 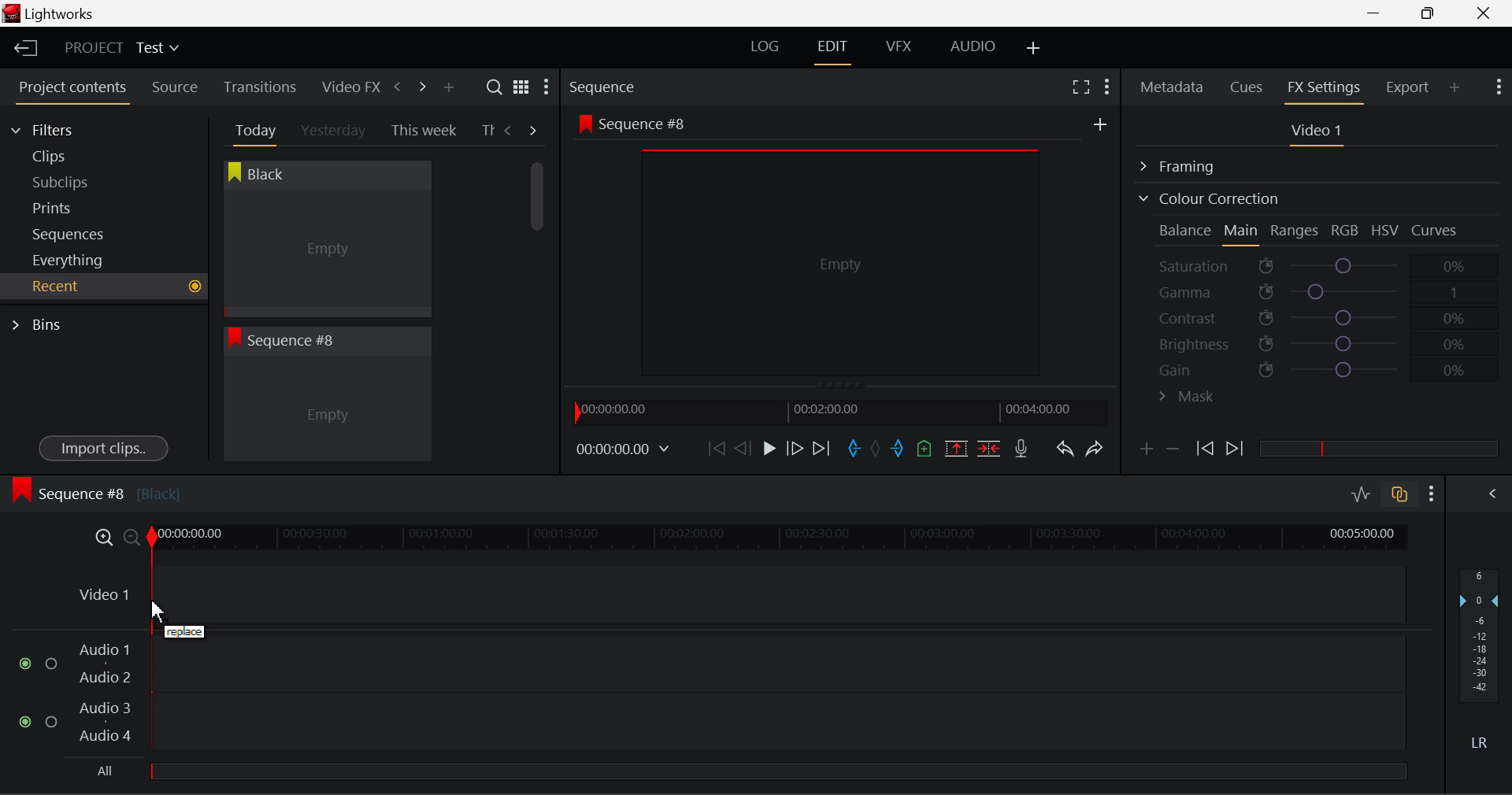 I want to click on Yesterday Tab, so click(x=335, y=131).